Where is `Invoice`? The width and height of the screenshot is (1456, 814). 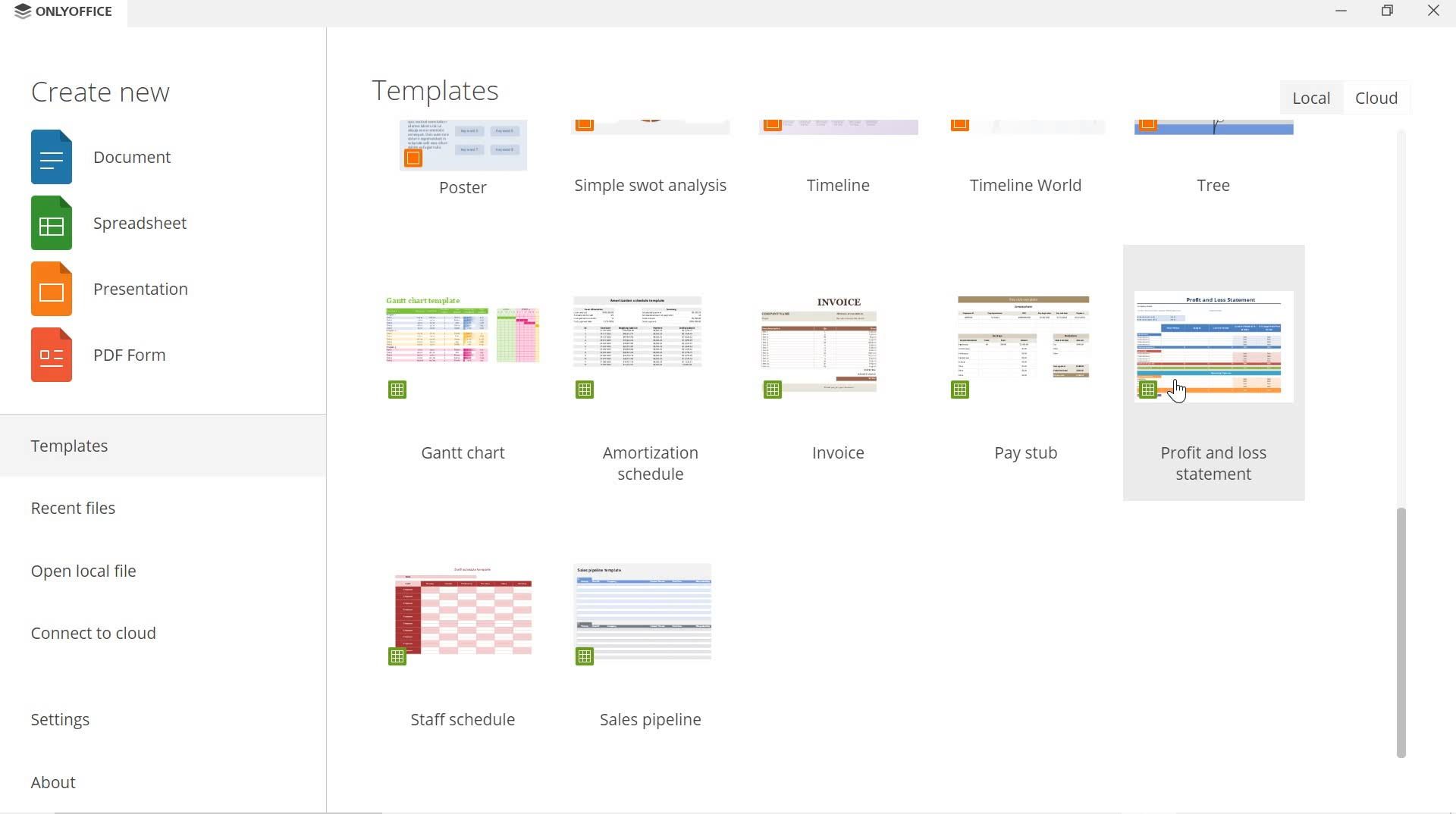 Invoice is located at coordinates (840, 452).